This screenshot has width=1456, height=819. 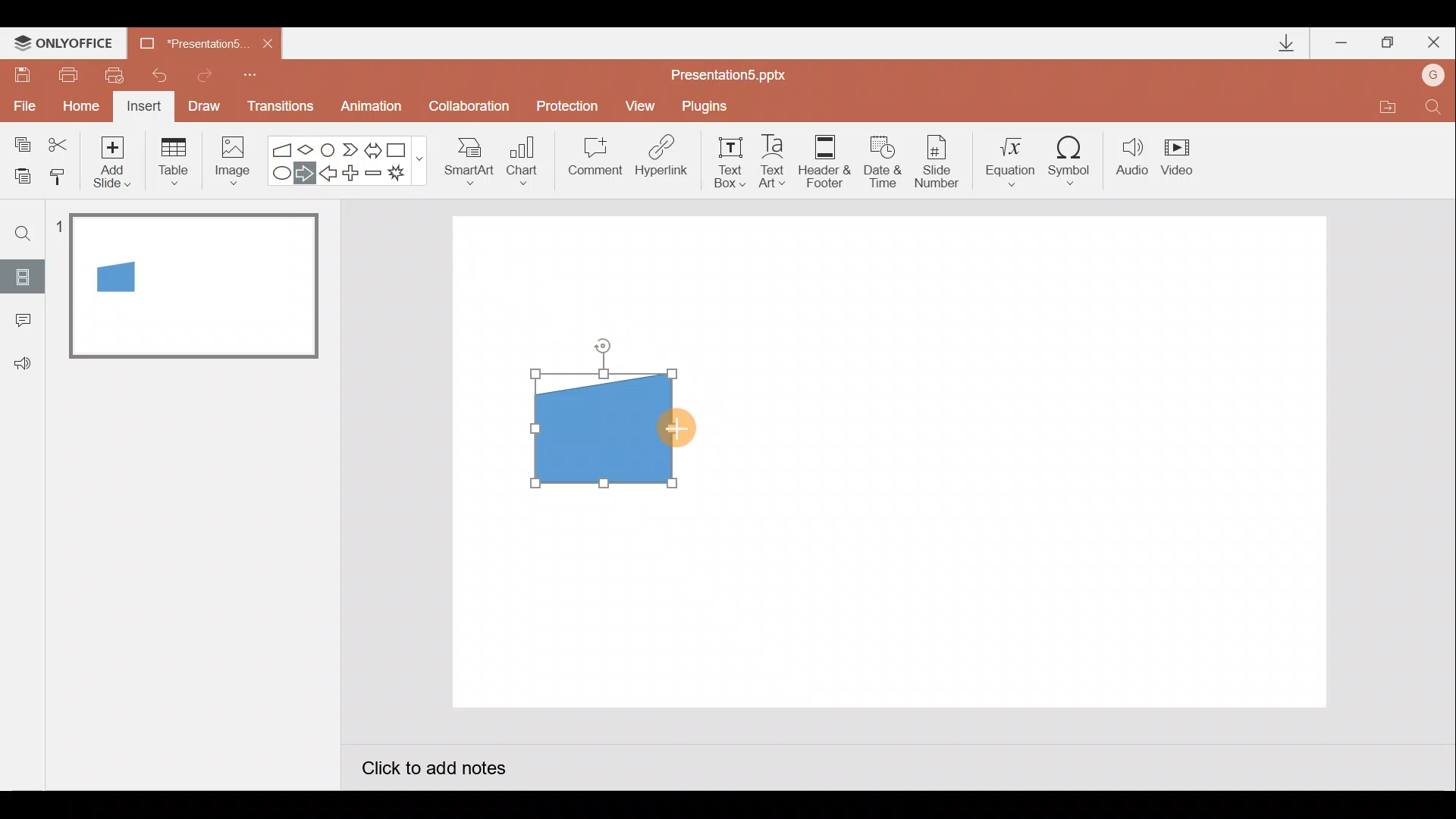 I want to click on Rectangle, so click(x=400, y=149).